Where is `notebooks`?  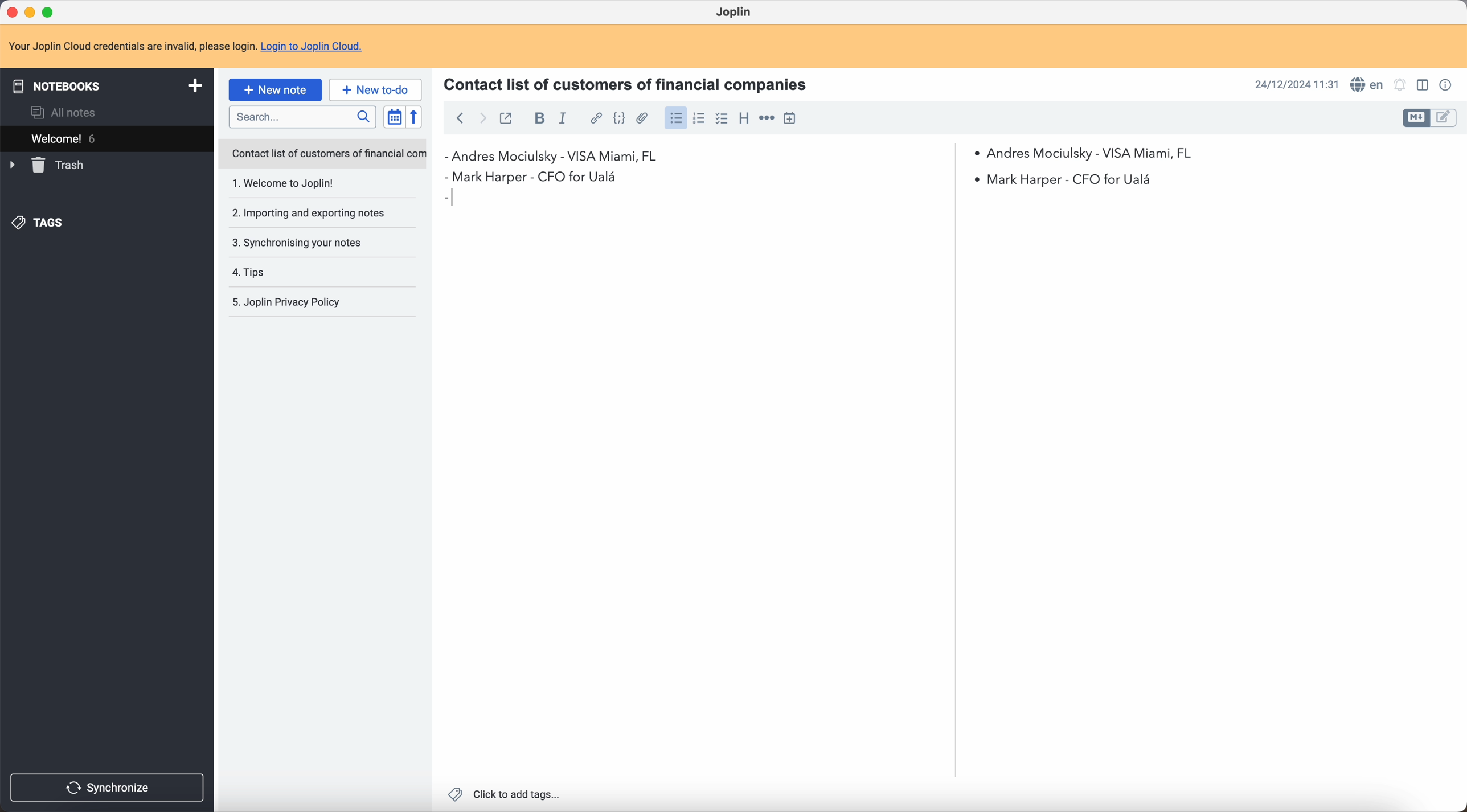
notebooks is located at coordinates (105, 85).